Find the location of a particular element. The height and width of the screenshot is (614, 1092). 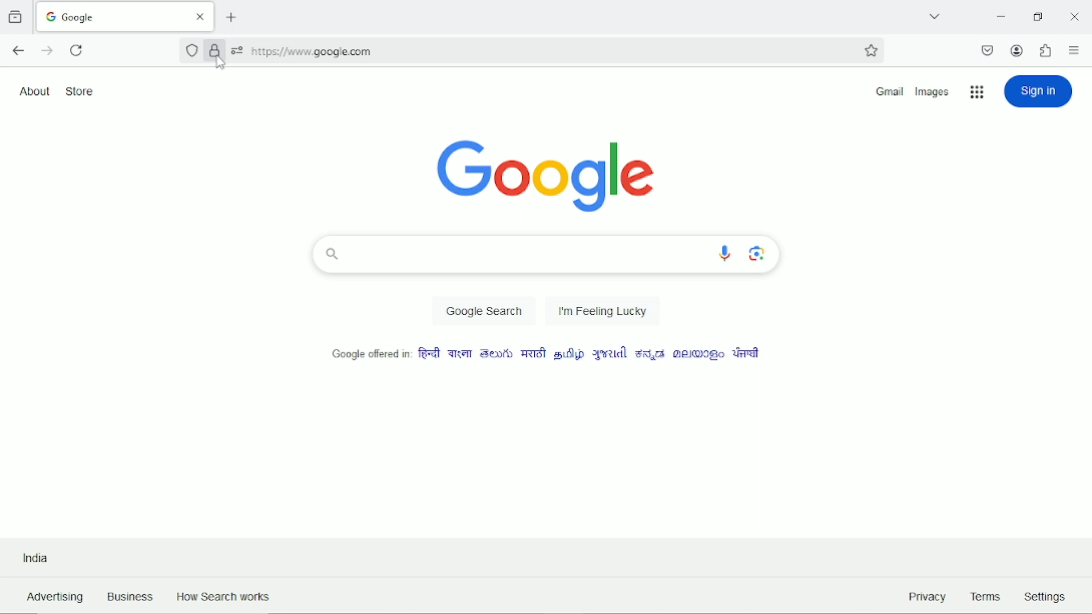

You have granted this website additional permissions is located at coordinates (237, 50).